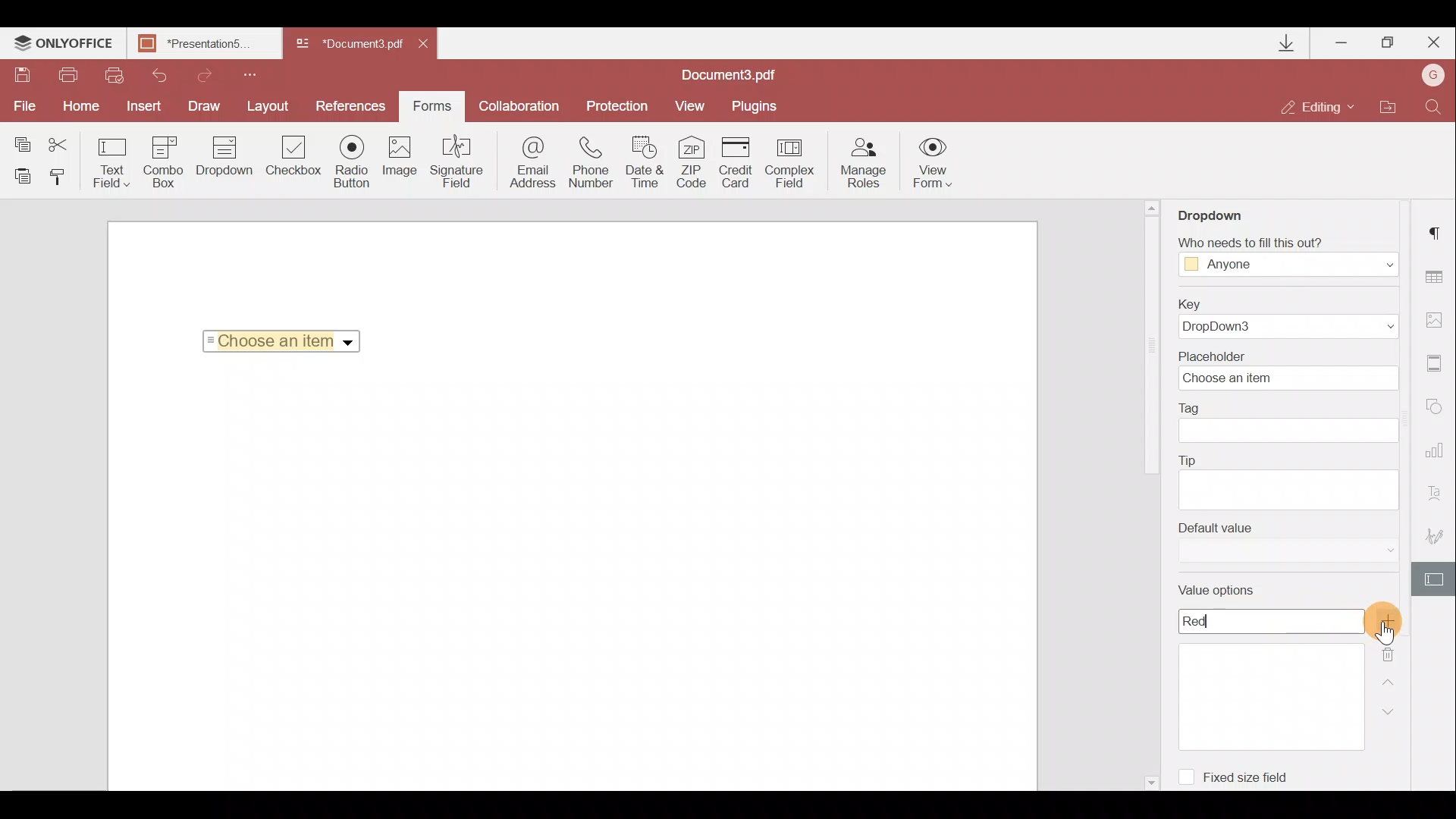 Image resolution: width=1456 pixels, height=819 pixels. What do you see at coordinates (277, 340) in the screenshot?
I see `Selected Item` at bounding box center [277, 340].